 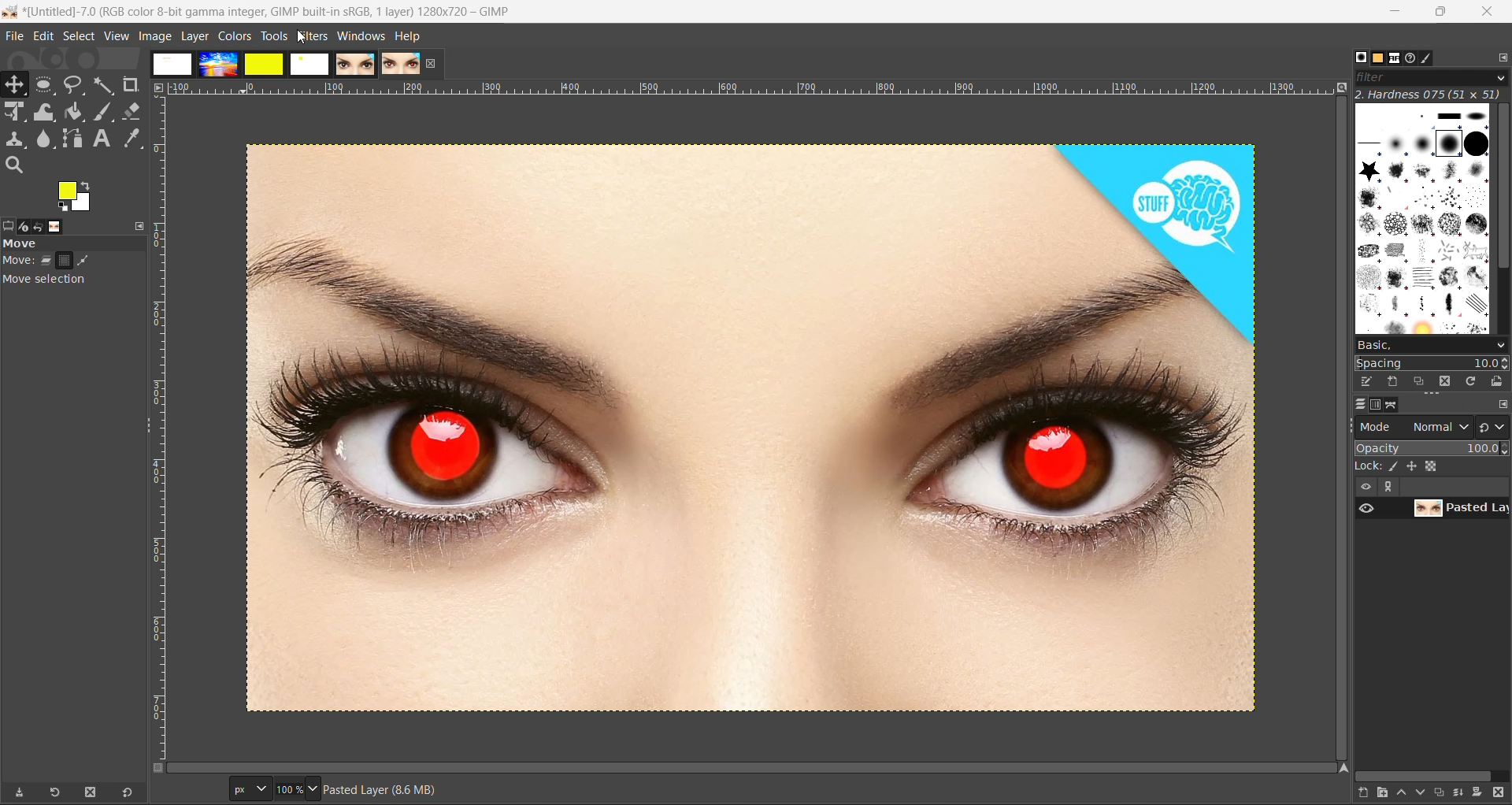 I want to click on switch to another group, so click(x=1492, y=426).